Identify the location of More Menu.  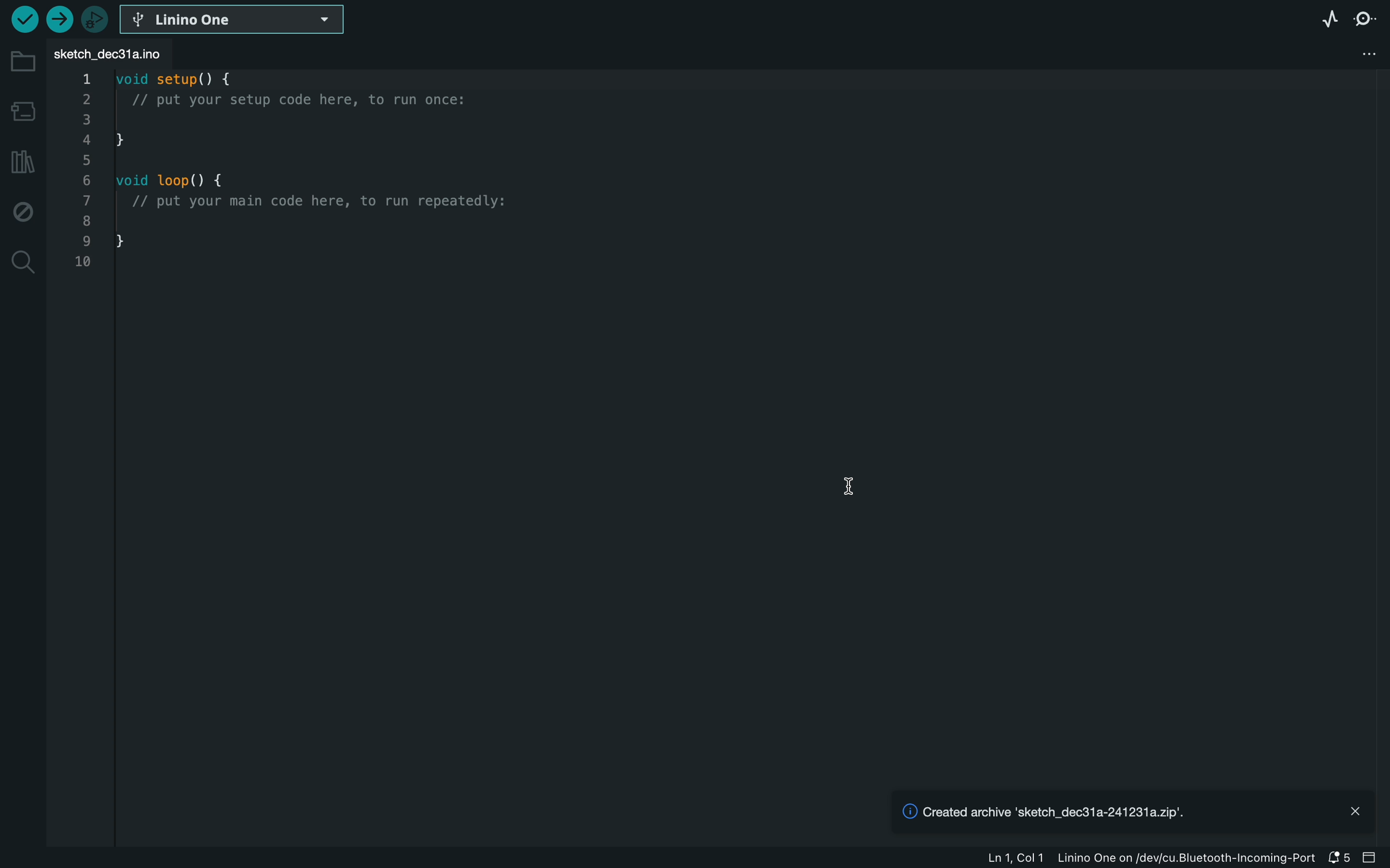
(1370, 56).